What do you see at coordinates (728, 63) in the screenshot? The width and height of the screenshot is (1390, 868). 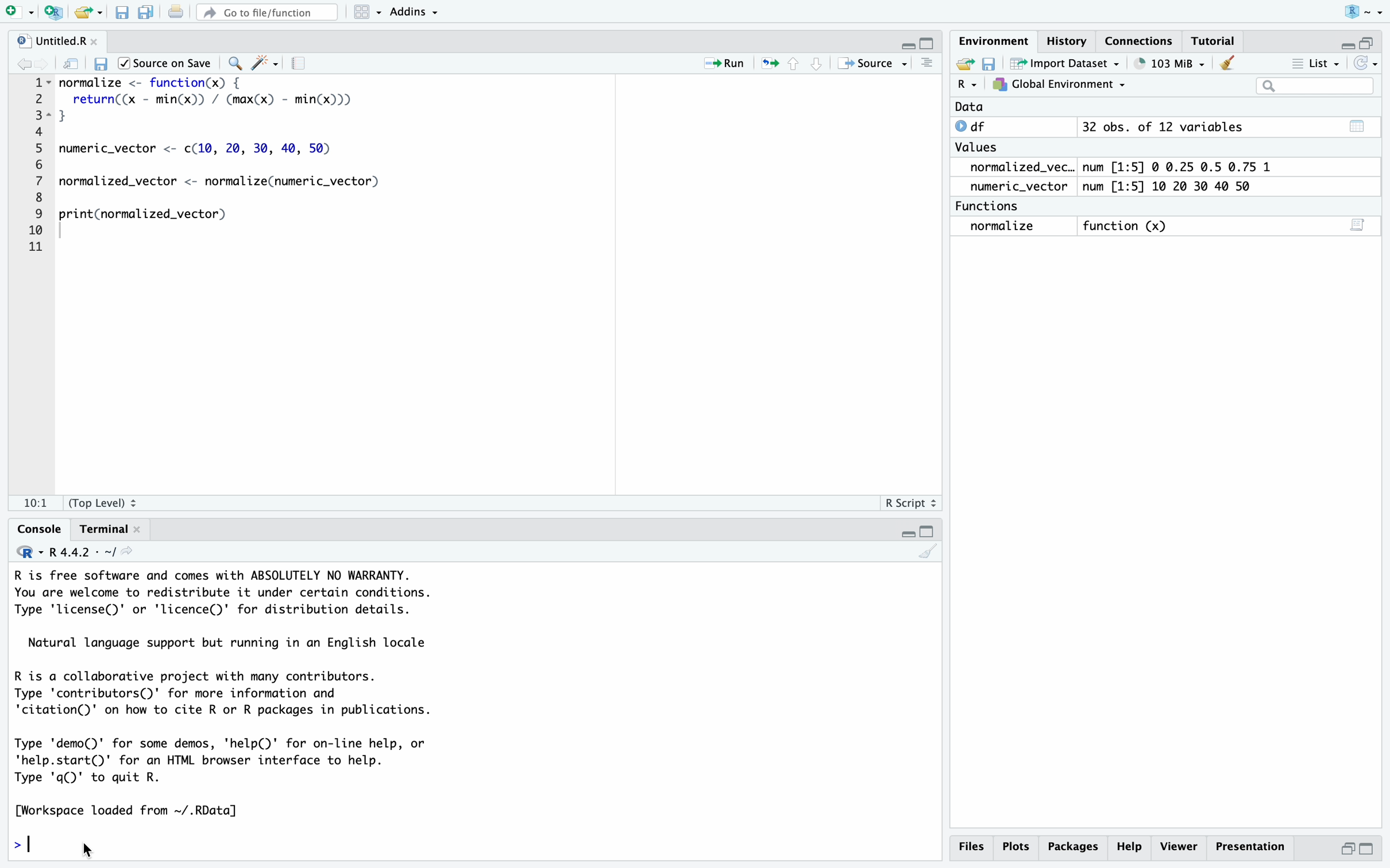 I see `Run the current line or selection (Ctrl + Enter)` at bounding box center [728, 63].